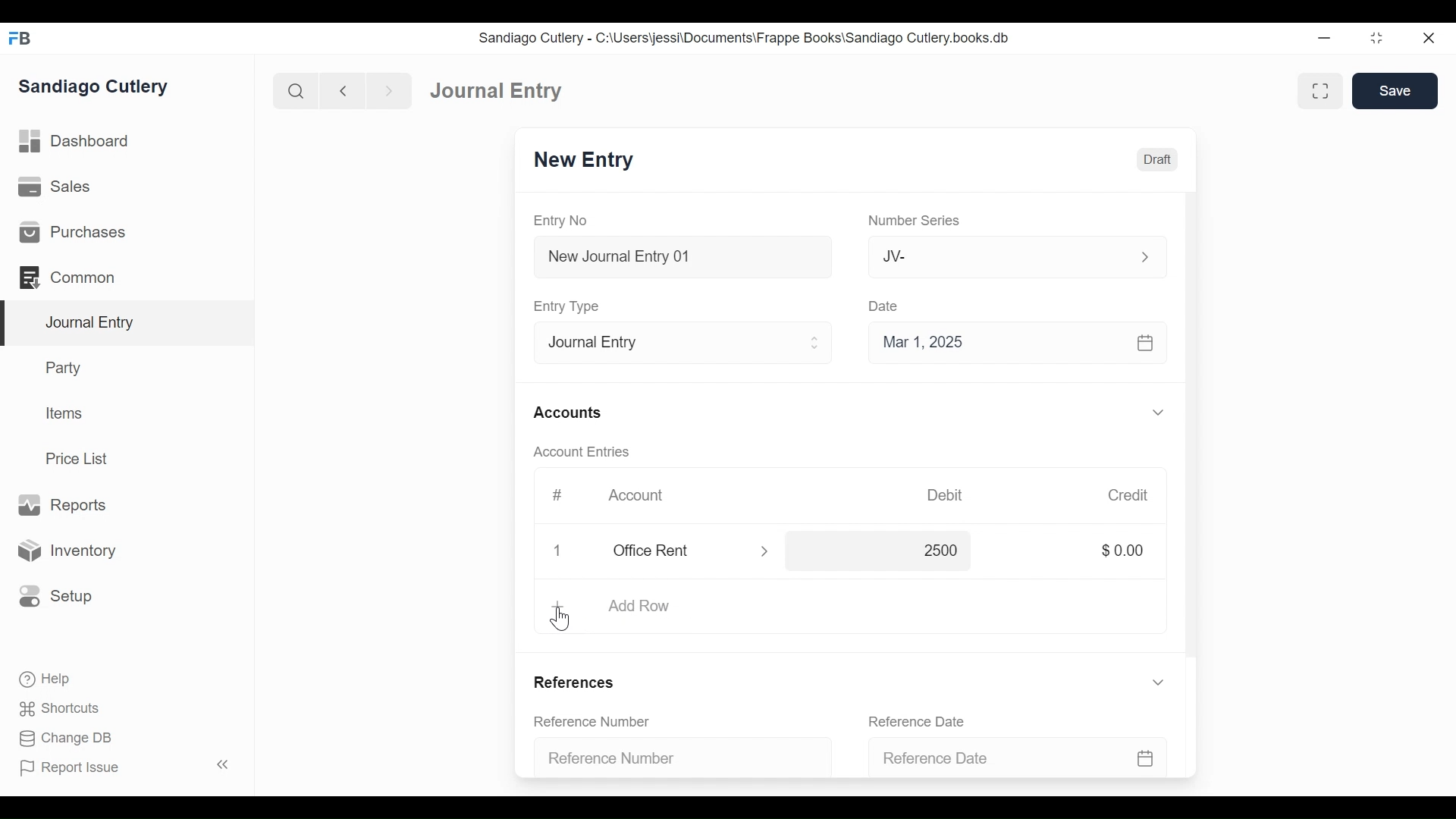 This screenshot has width=1456, height=819. I want to click on expand/collapse, so click(1157, 682).